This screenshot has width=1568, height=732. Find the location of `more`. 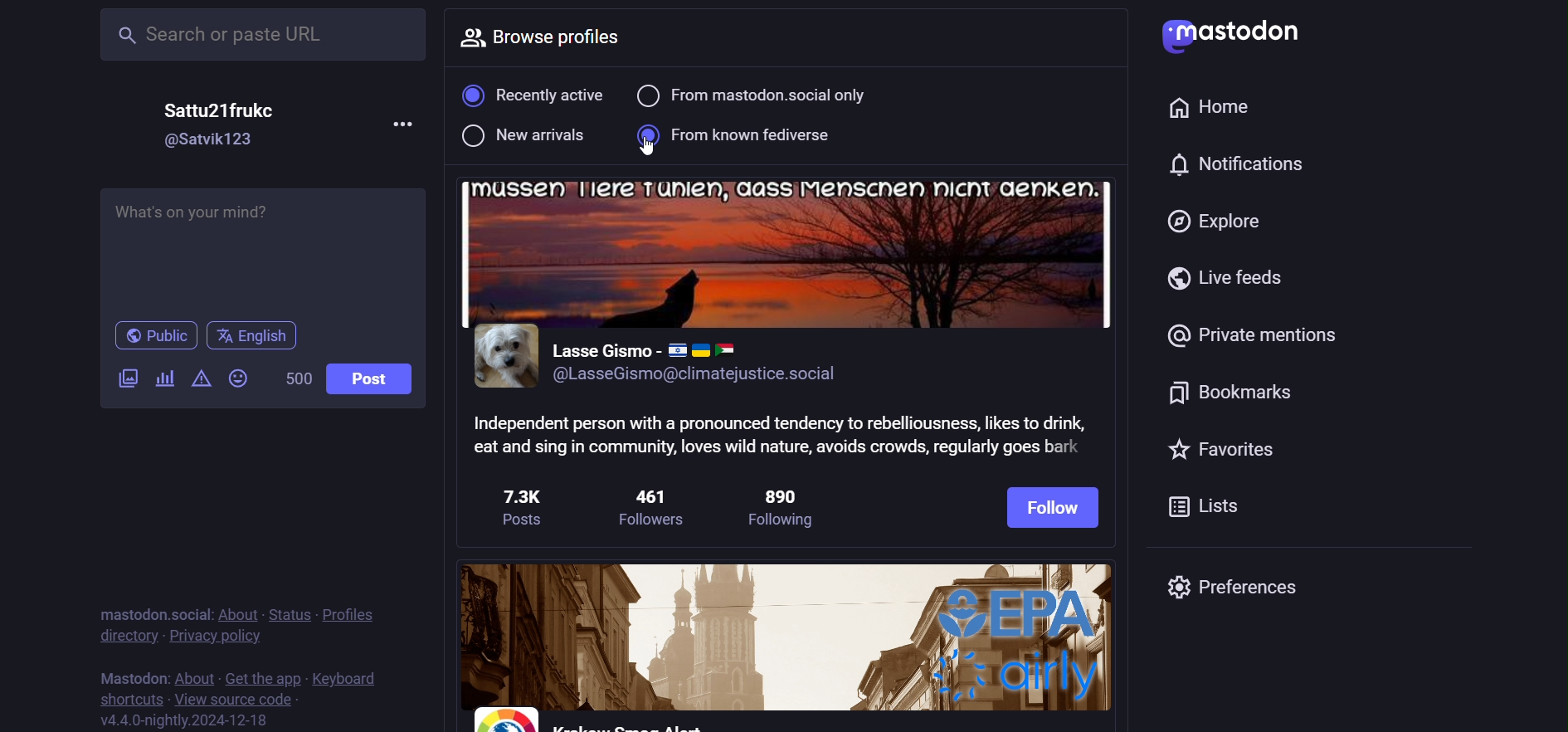

more is located at coordinates (409, 124).